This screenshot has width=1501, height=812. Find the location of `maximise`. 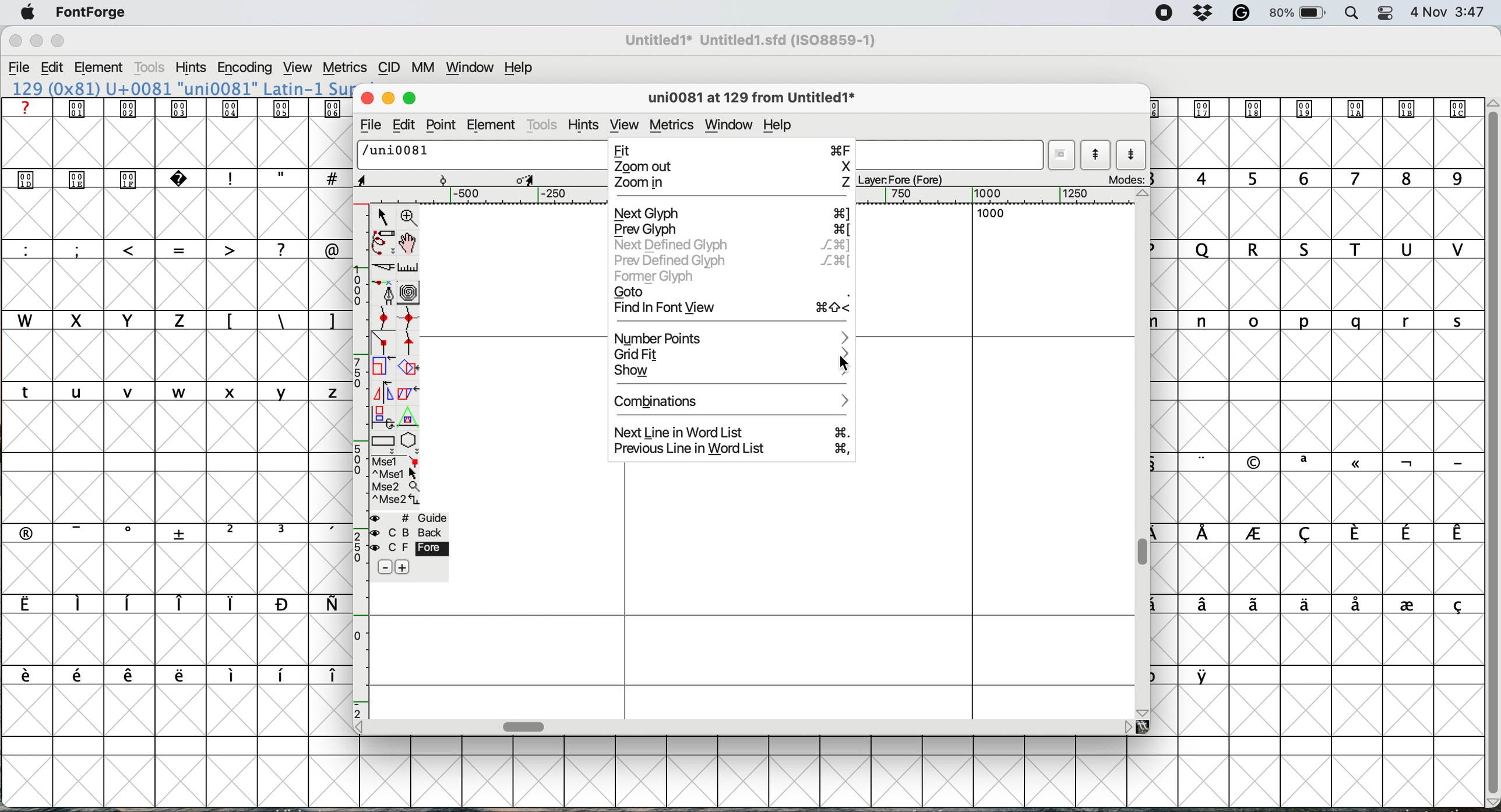

maximise is located at coordinates (409, 98).